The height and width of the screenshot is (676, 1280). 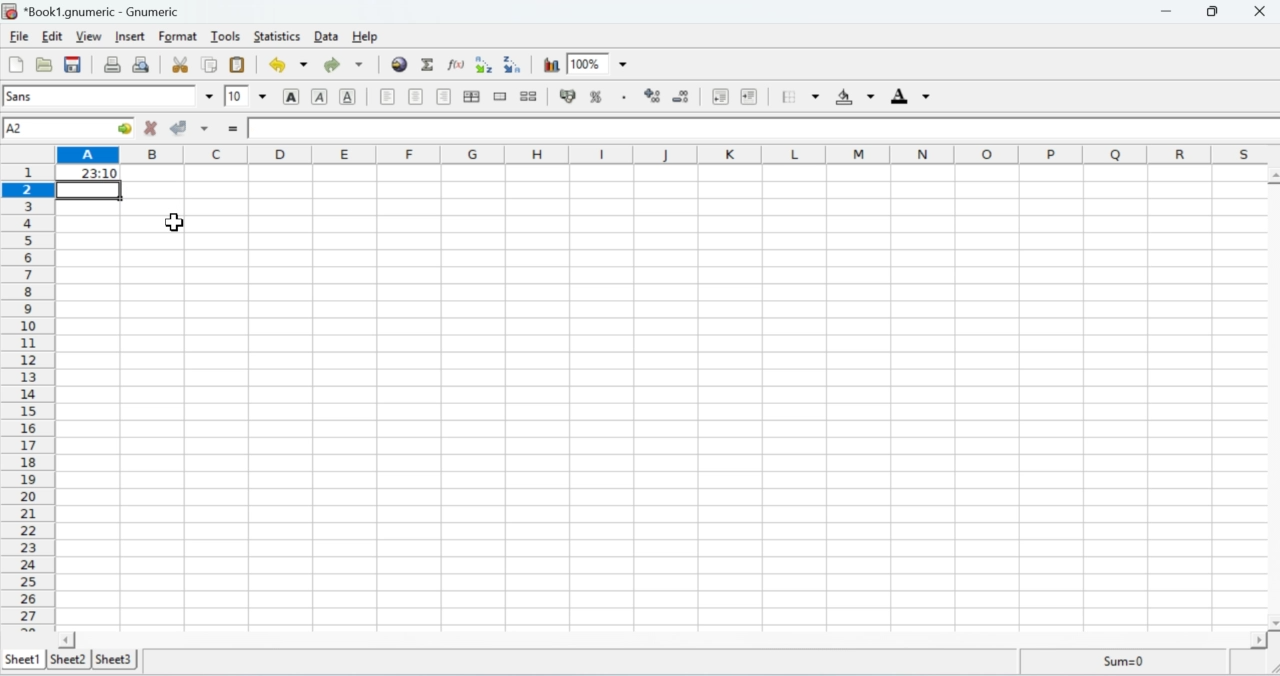 What do you see at coordinates (211, 63) in the screenshot?
I see `Copy the selection` at bounding box center [211, 63].